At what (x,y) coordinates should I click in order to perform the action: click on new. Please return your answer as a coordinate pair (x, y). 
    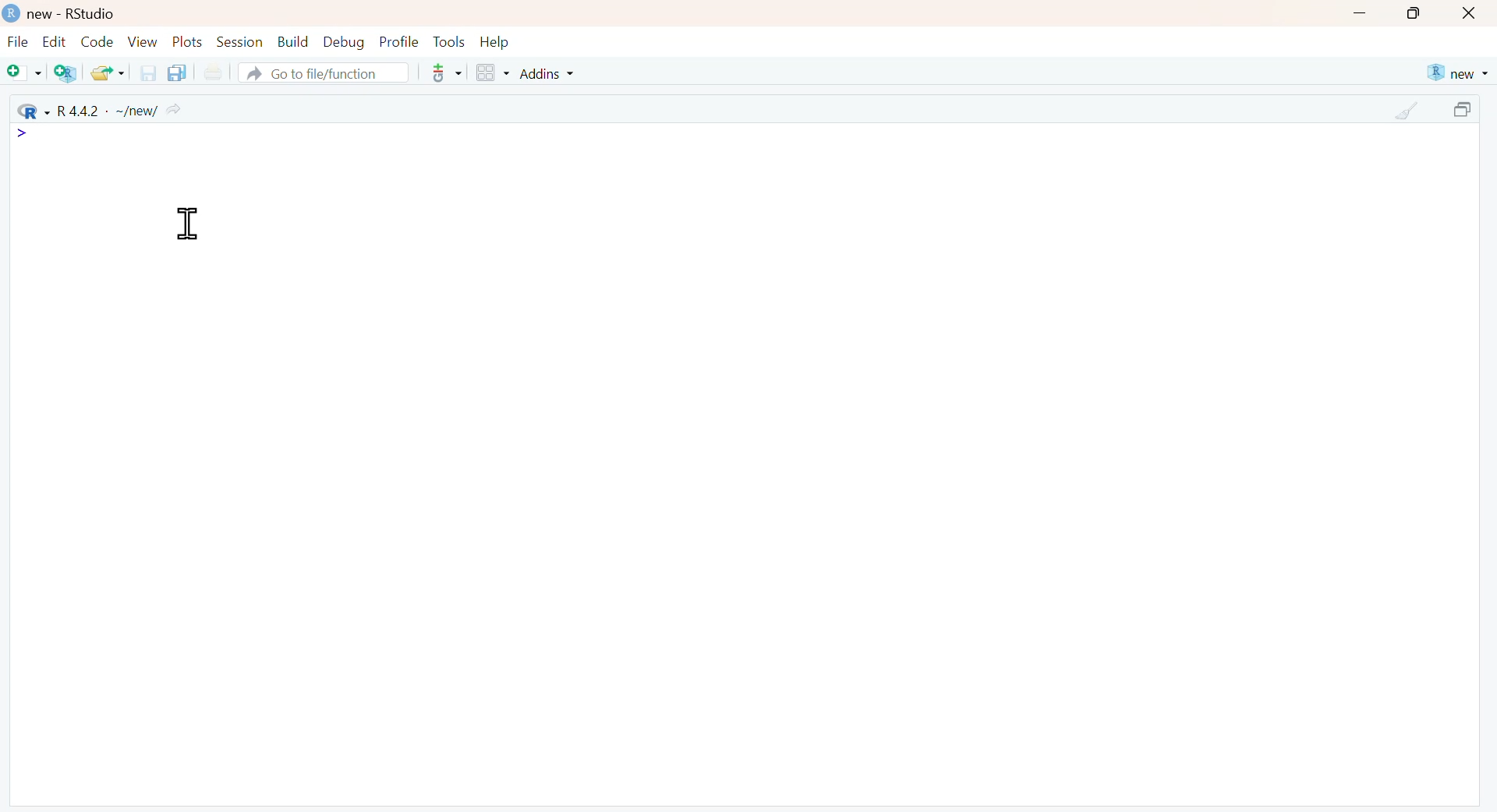
    Looking at the image, I should click on (1456, 72).